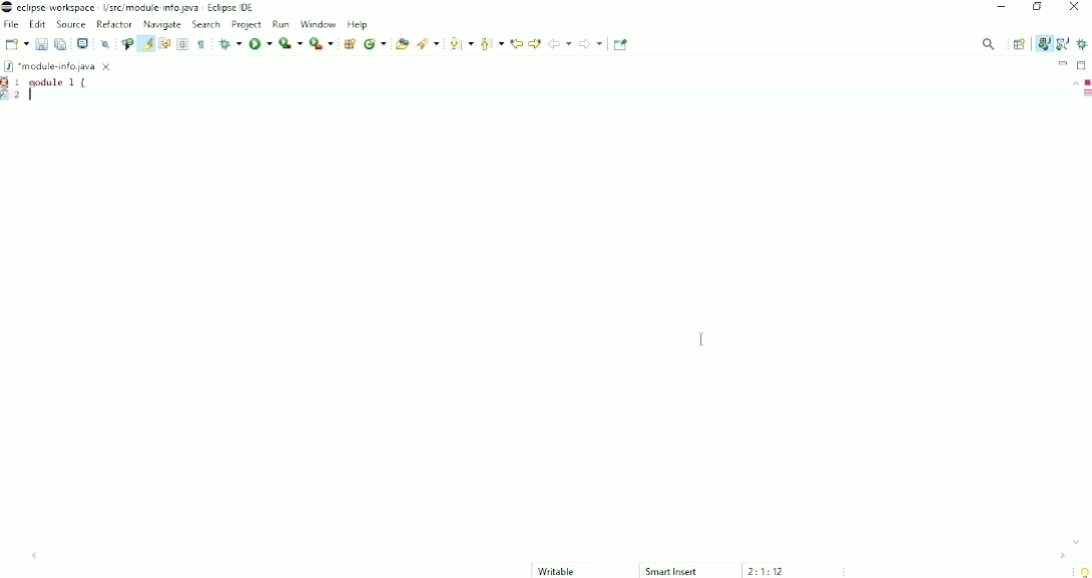  I want to click on Previous annotation, so click(491, 44).